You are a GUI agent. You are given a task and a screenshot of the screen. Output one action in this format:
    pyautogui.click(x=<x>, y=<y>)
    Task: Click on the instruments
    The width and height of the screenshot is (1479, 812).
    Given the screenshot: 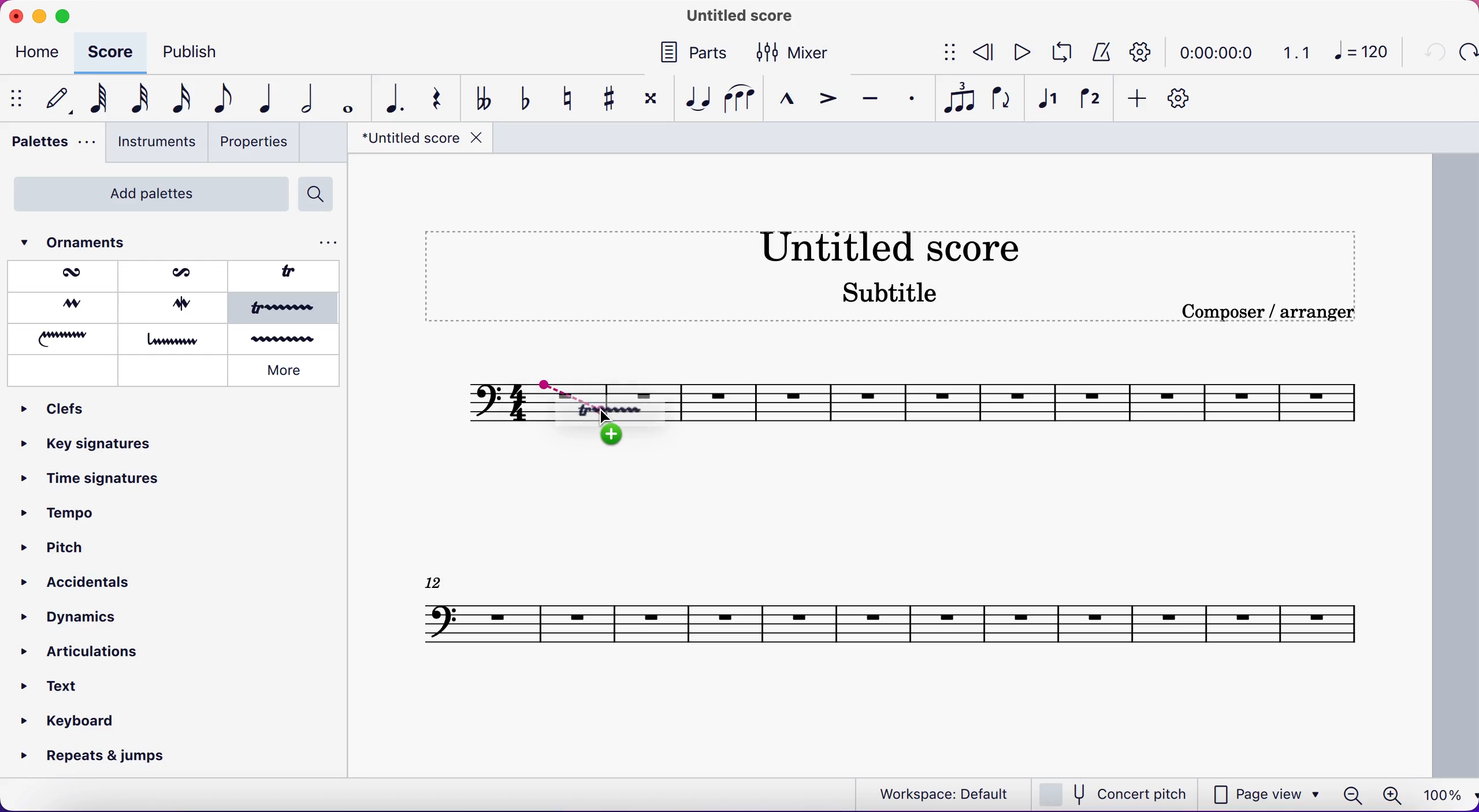 What is the action you would take?
    pyautogui.click(x=155, y=143)
    